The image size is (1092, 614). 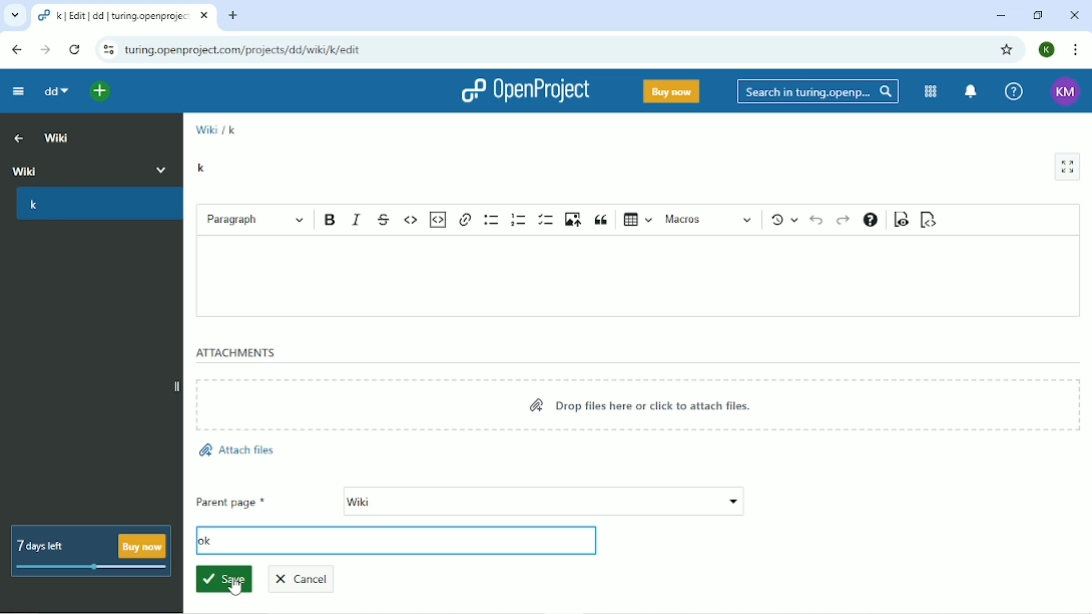 What do you see at coordinates (603, 219) in the screenshot?
I see `Block quote` at bounding box center [603, 219].